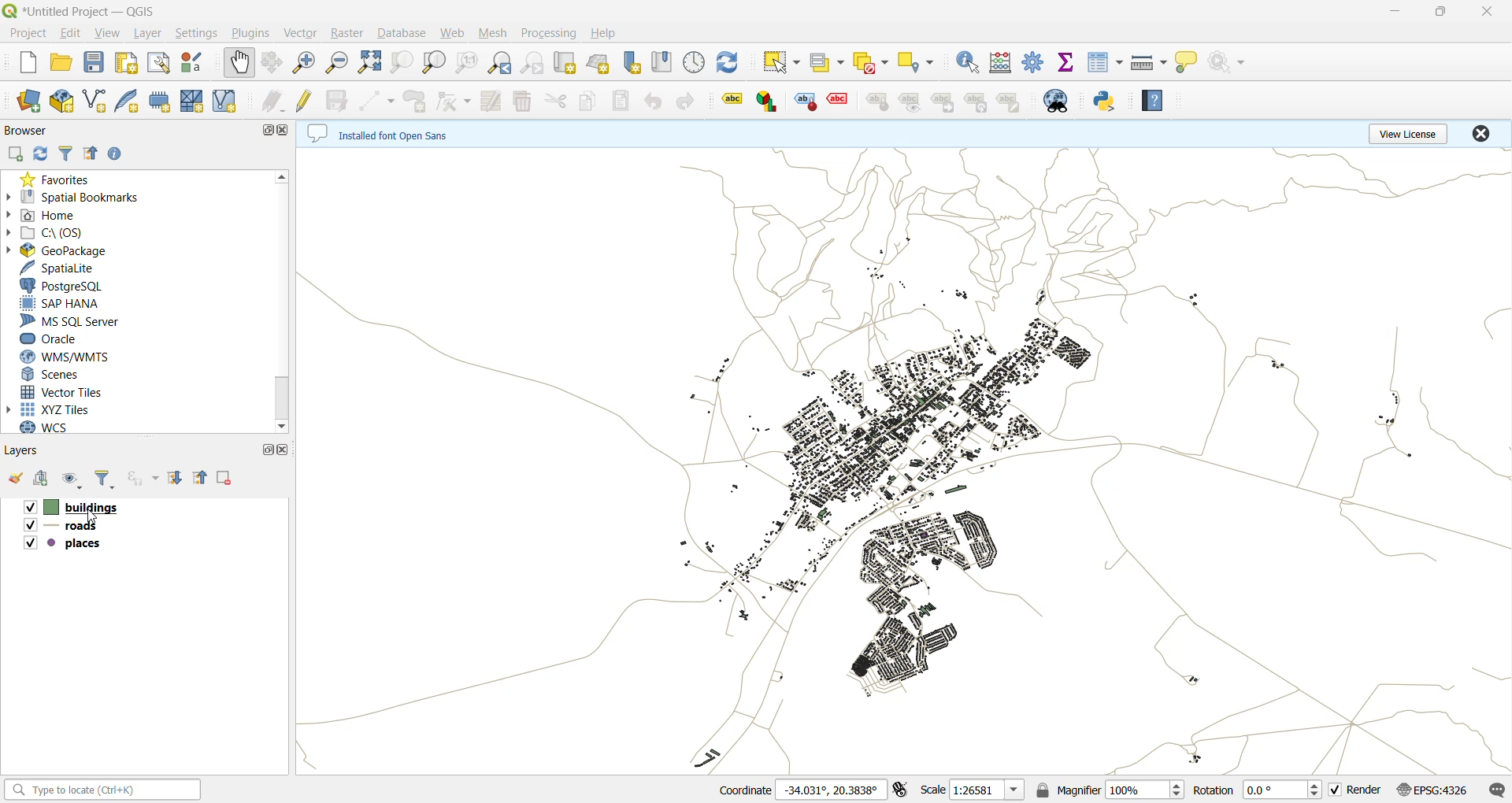 The image size is (1512, 803). I want to click on log messages, so click(1496, 790).